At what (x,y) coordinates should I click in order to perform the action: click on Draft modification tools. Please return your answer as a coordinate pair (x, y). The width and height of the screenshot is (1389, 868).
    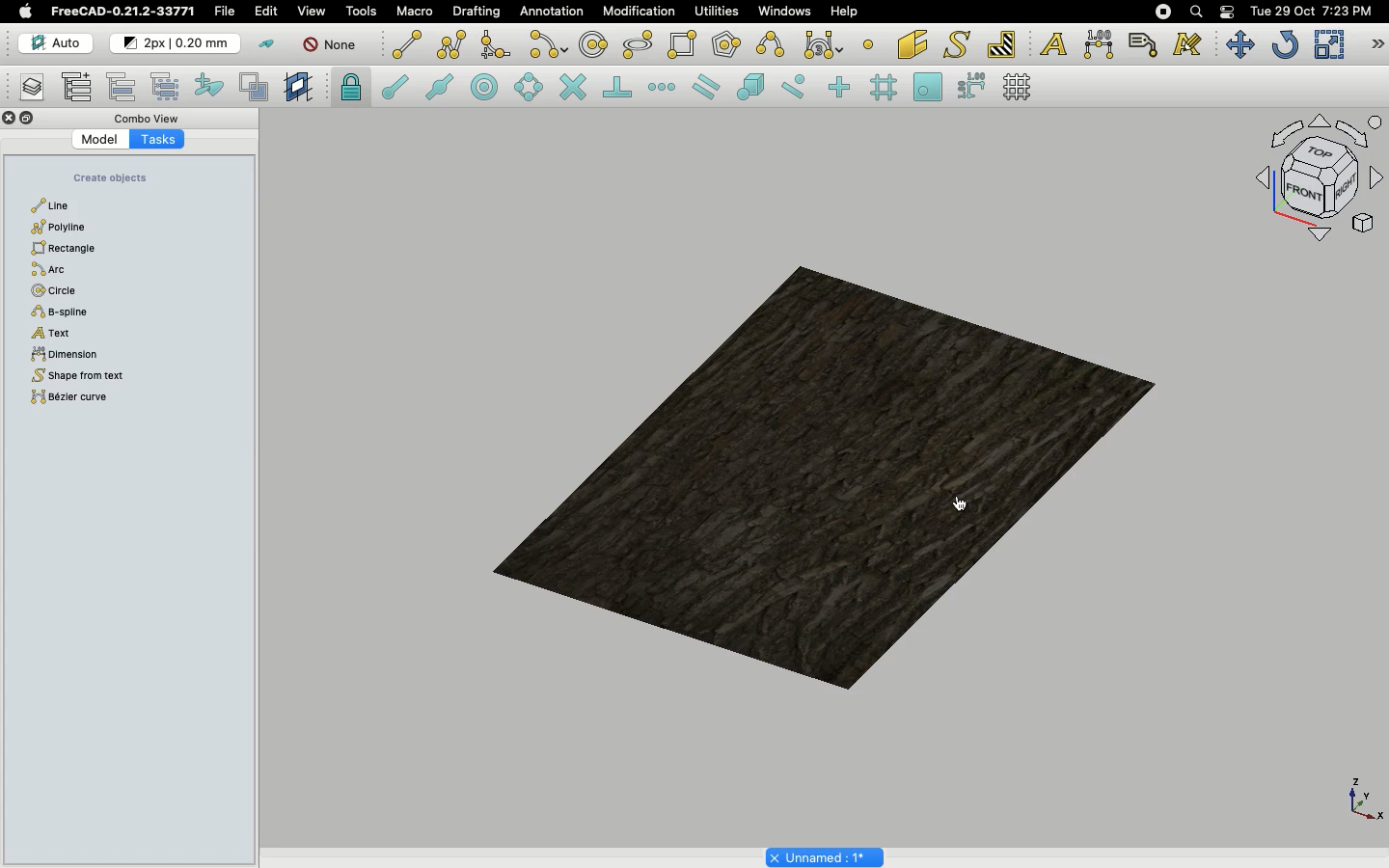
    Looking at the image, I should click on (1377, 44).